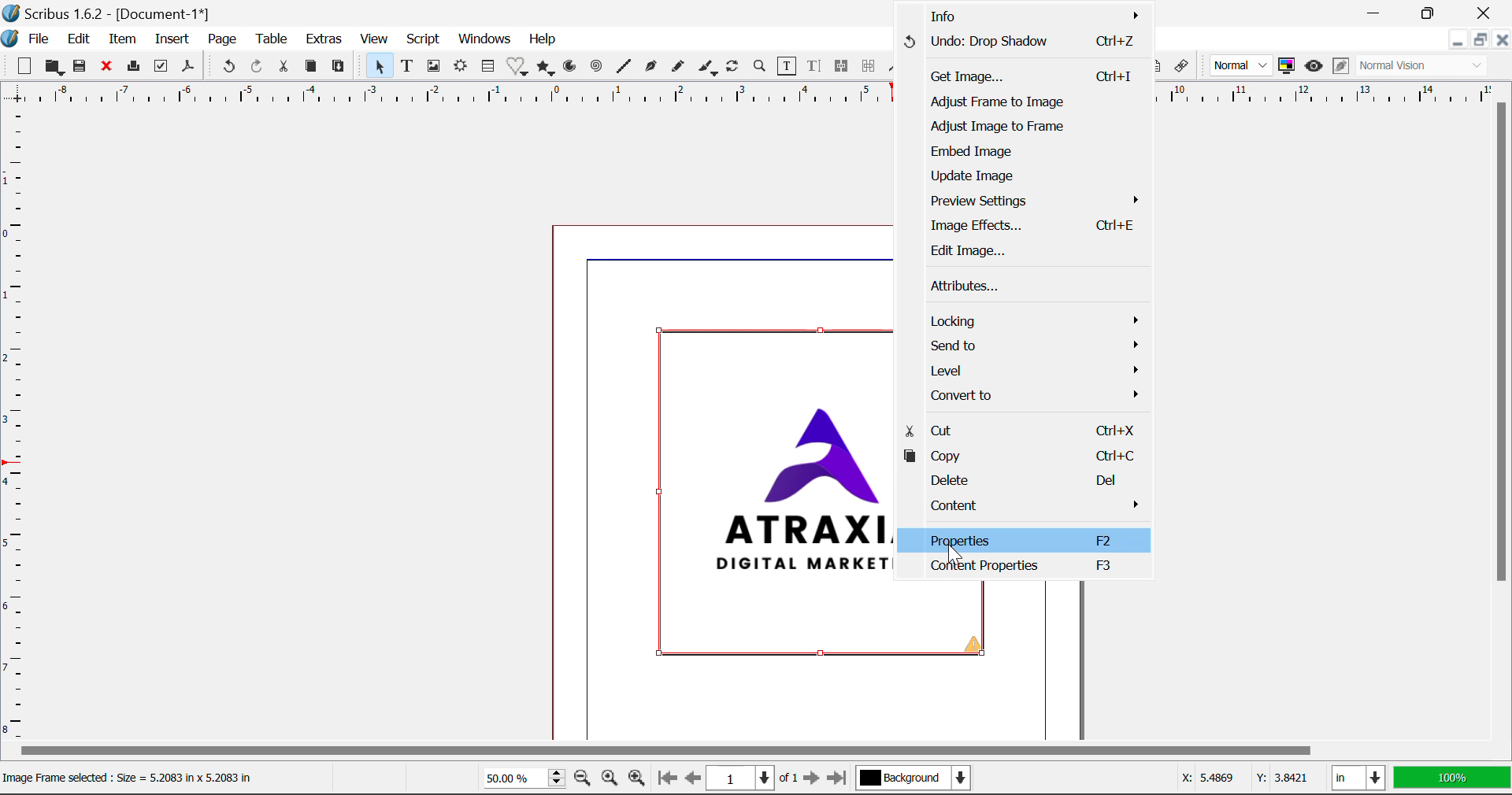  I want to click on First page, so click(667, 781).